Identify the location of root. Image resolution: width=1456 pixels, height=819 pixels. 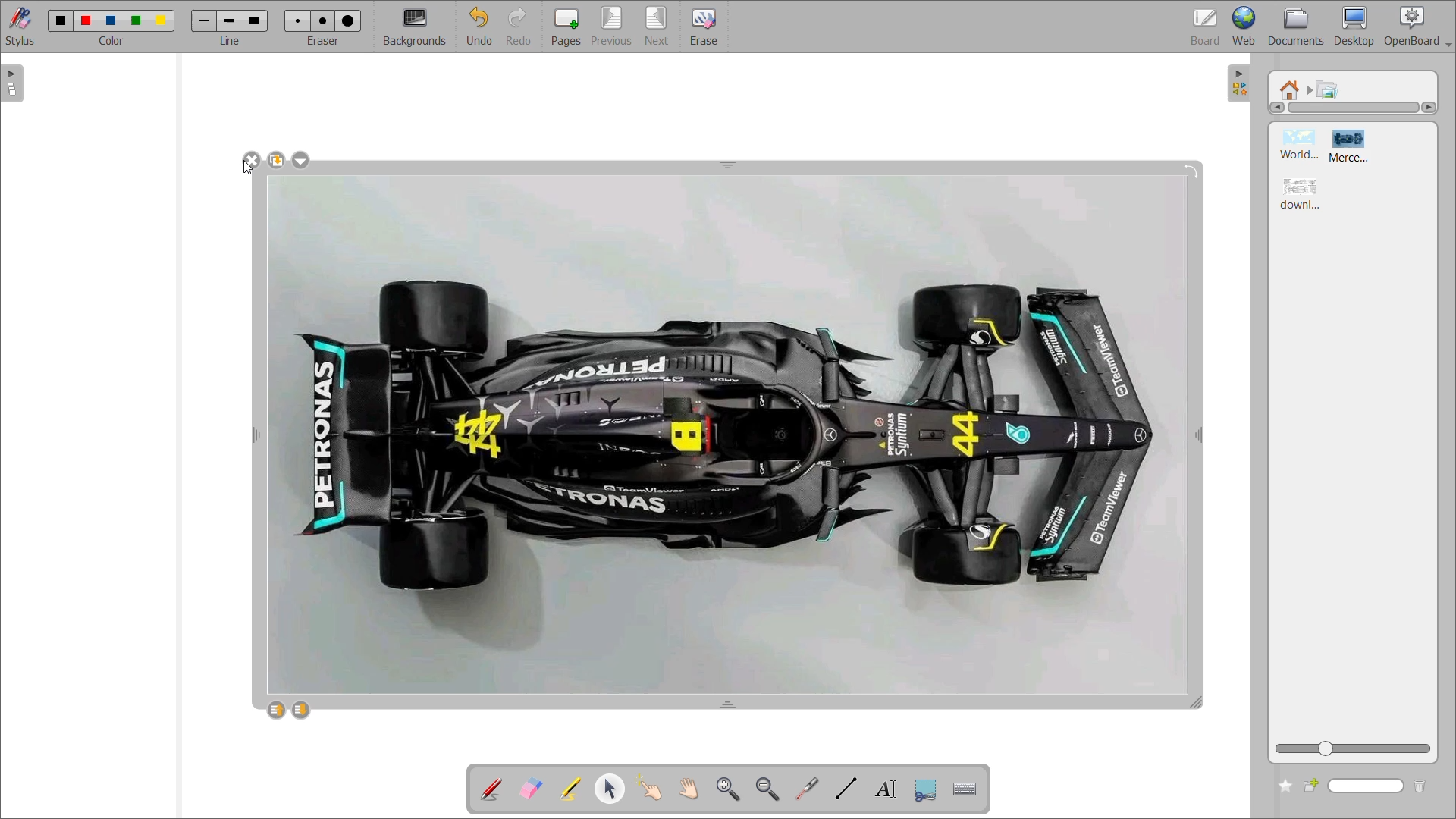
(1288, 90).